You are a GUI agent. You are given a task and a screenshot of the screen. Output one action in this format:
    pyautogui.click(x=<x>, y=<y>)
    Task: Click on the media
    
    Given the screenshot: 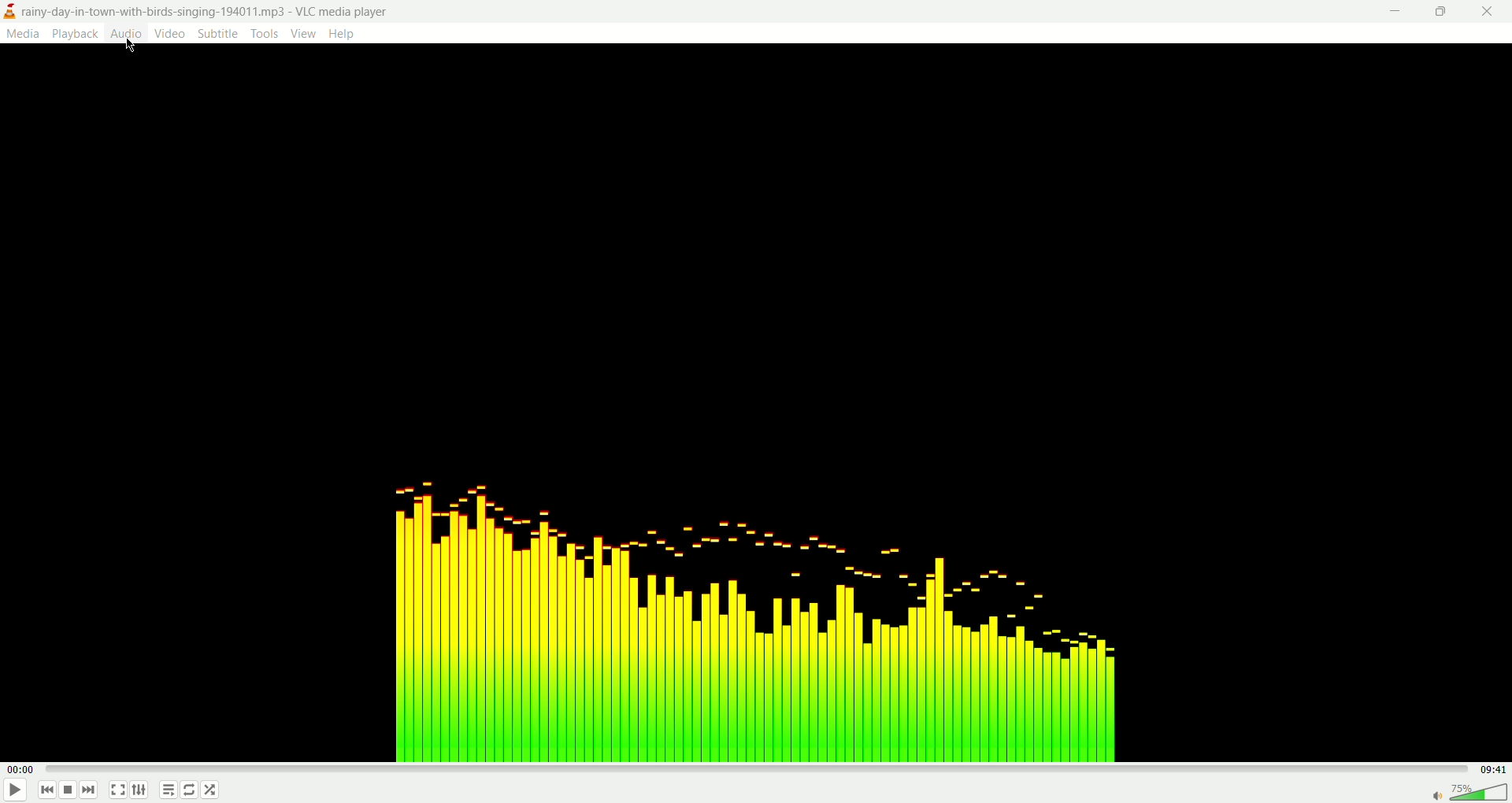 What is the action you would take?
    pyautogui.click(x=22, y=33)
    